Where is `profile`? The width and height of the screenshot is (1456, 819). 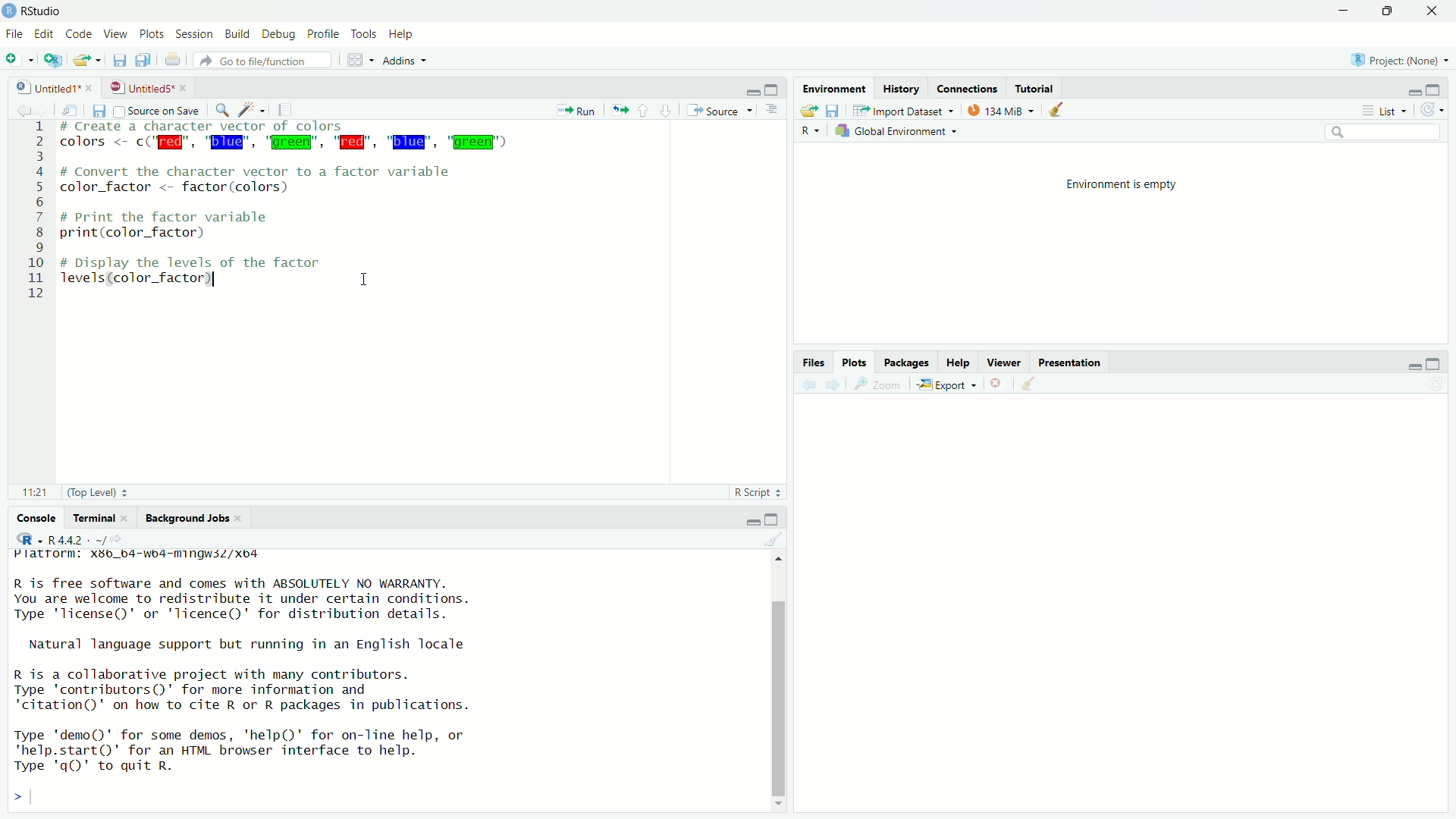
profile is located at coordinates (322, 34).